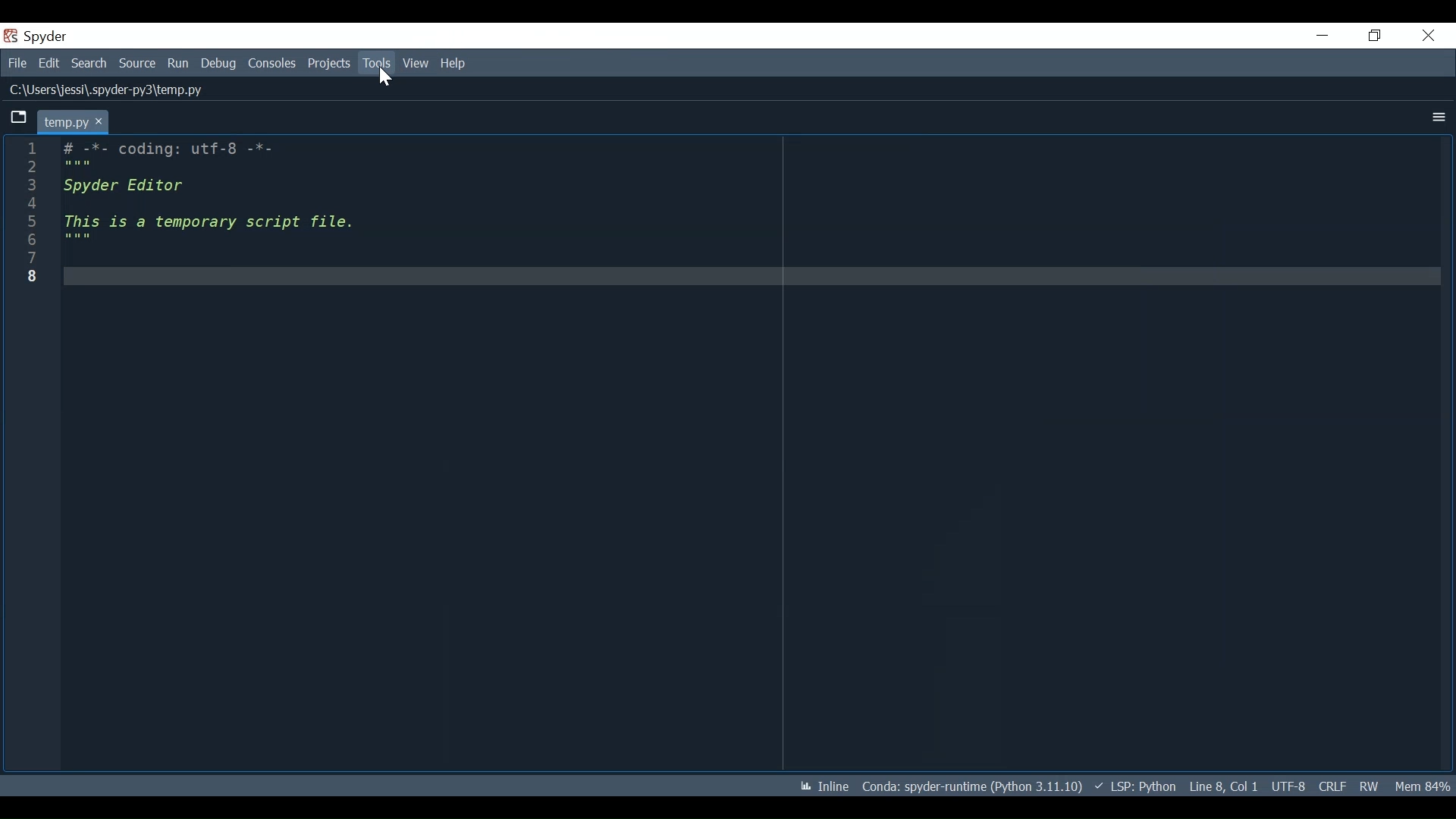 This screenshot has width=1456, height=819. Describe the element at coordinates (1323, 36) in the screenshot. I see `Minimize` at that location.